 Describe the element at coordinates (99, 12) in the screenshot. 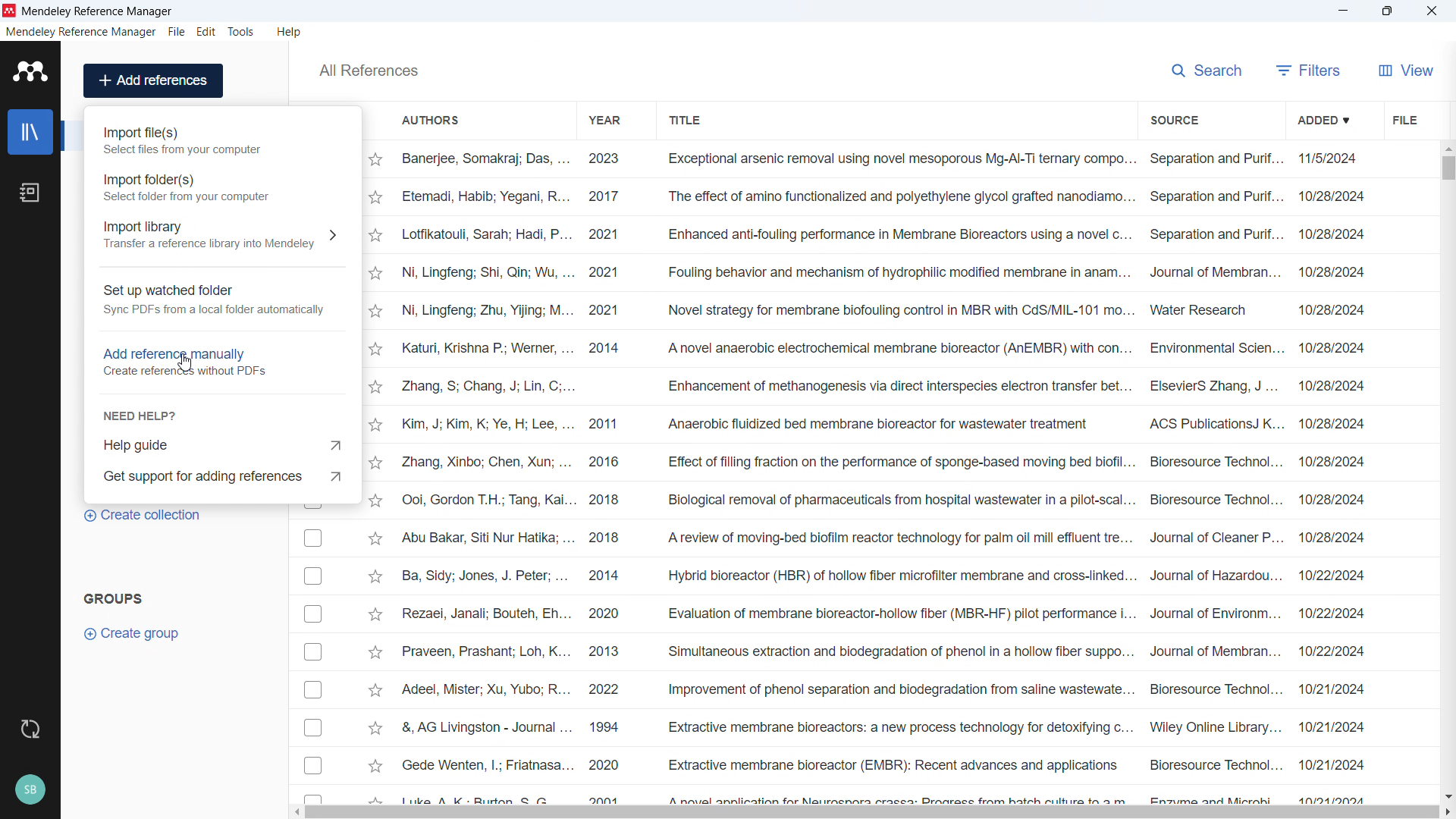

I see `title` at that location.